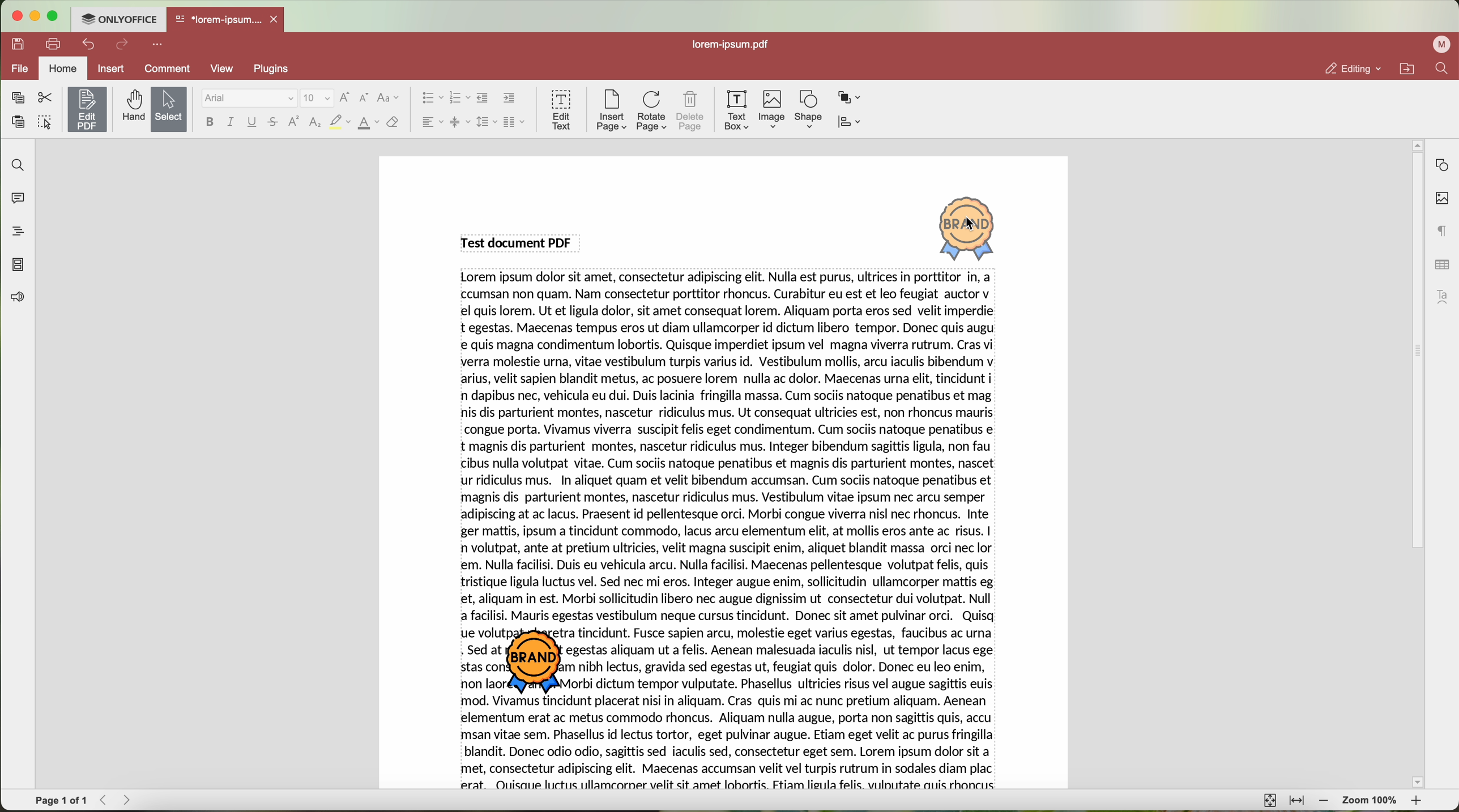 This screenshot has height=812, width=1459. What do you see at coordinates (611, 110) in the screenshot?
I see `insert page` at bounding box center [611, 110].